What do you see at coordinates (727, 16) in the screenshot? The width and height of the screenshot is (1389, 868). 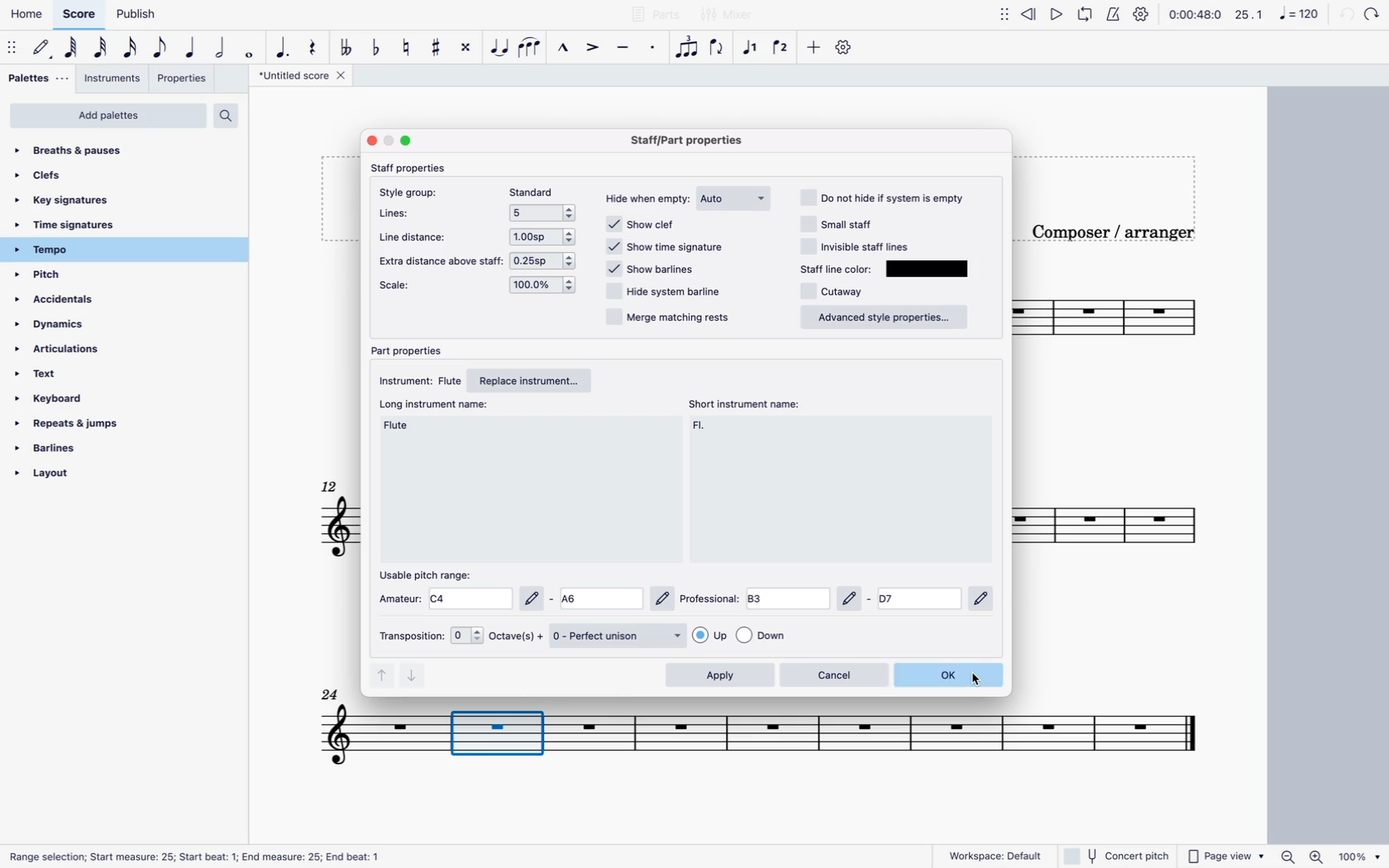 I see `mixer` at bounding box center [727, 16].